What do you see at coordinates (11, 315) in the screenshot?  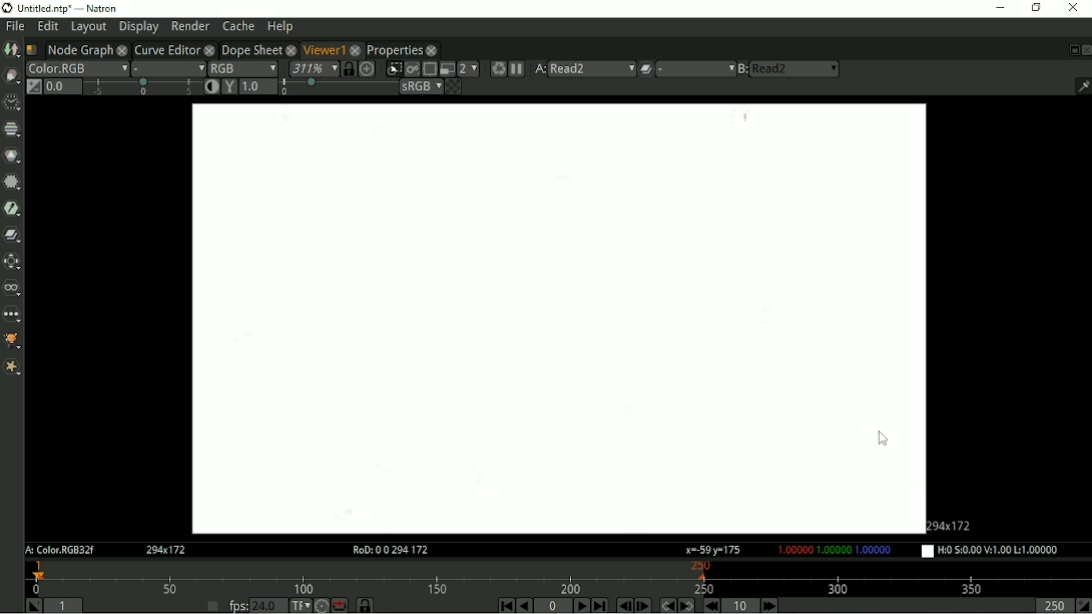 I see `Other` at bounding box center [11, 315].